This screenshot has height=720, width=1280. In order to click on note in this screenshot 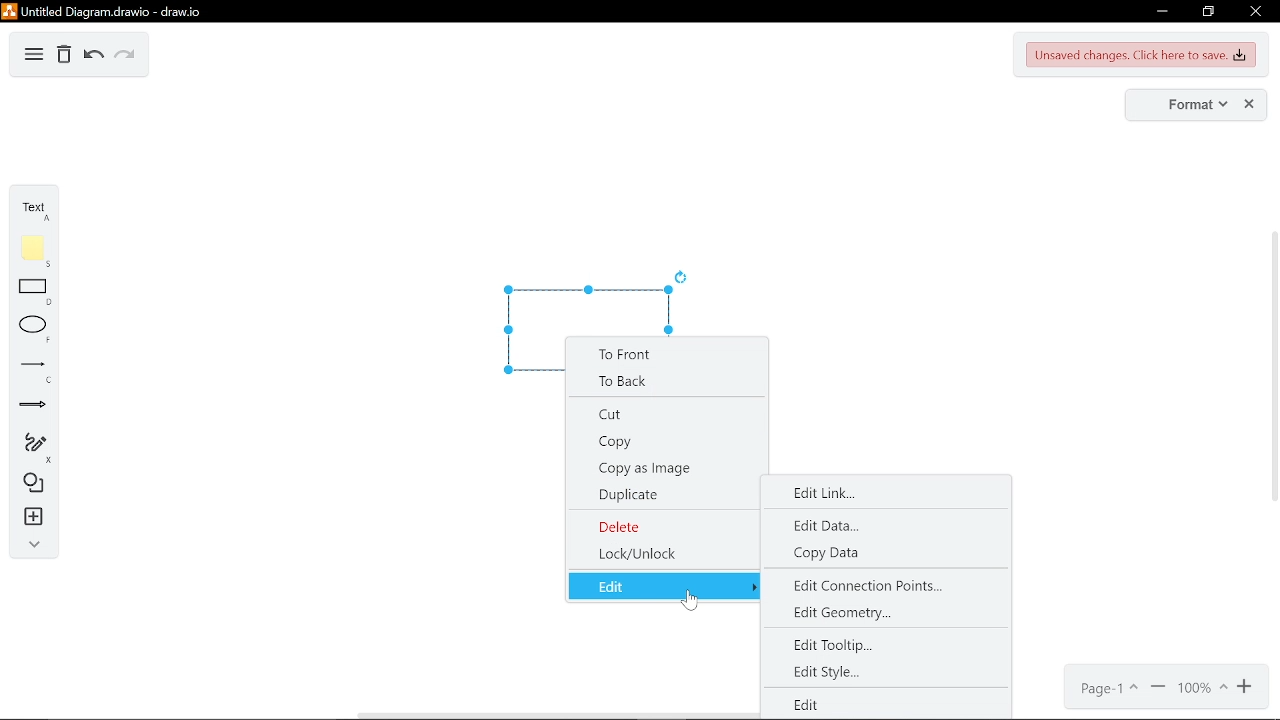, I will do `click(37, 251)`.